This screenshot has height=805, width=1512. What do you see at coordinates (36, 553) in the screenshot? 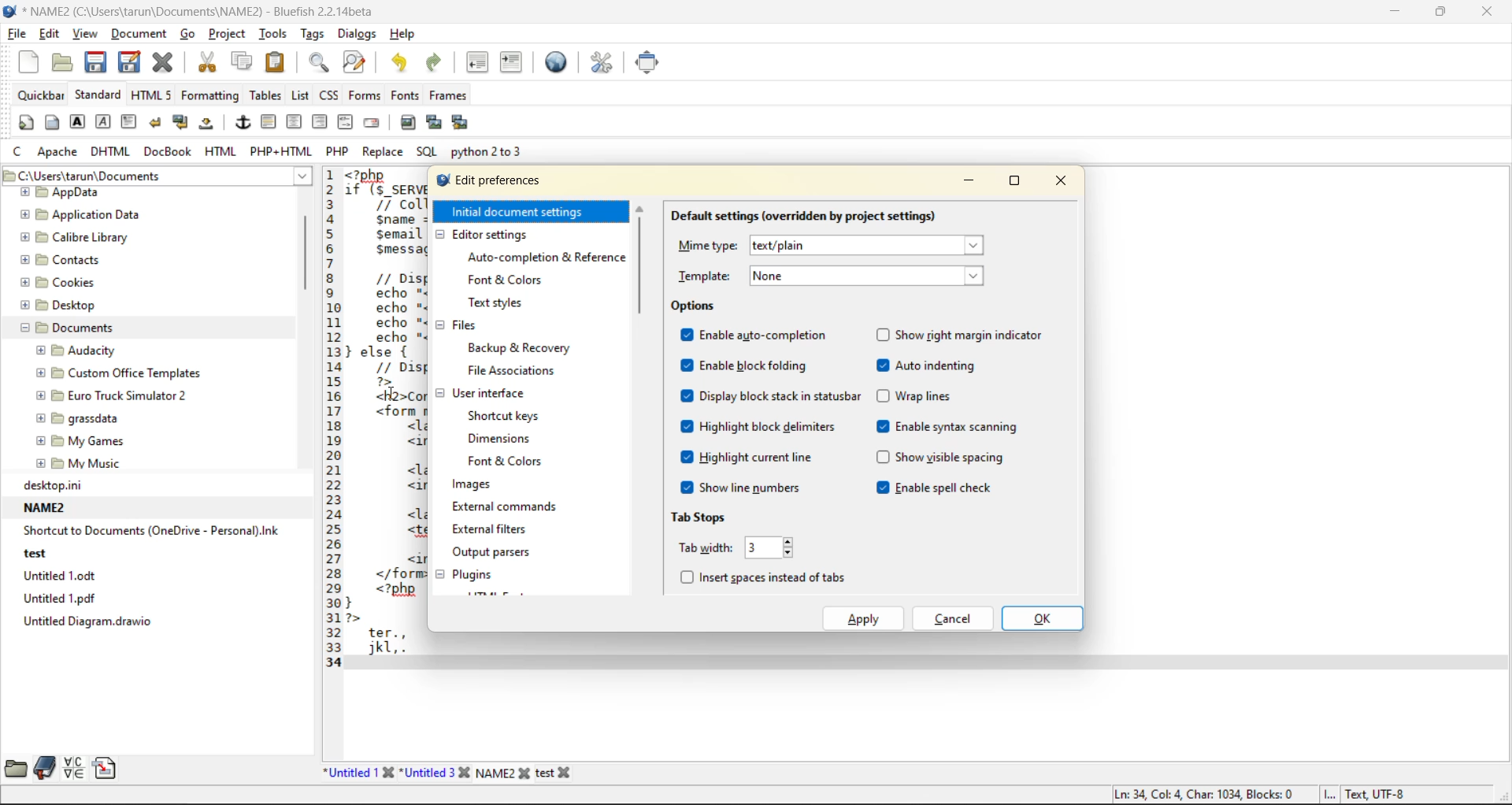
I see `test` at bounding box center [36, 553].